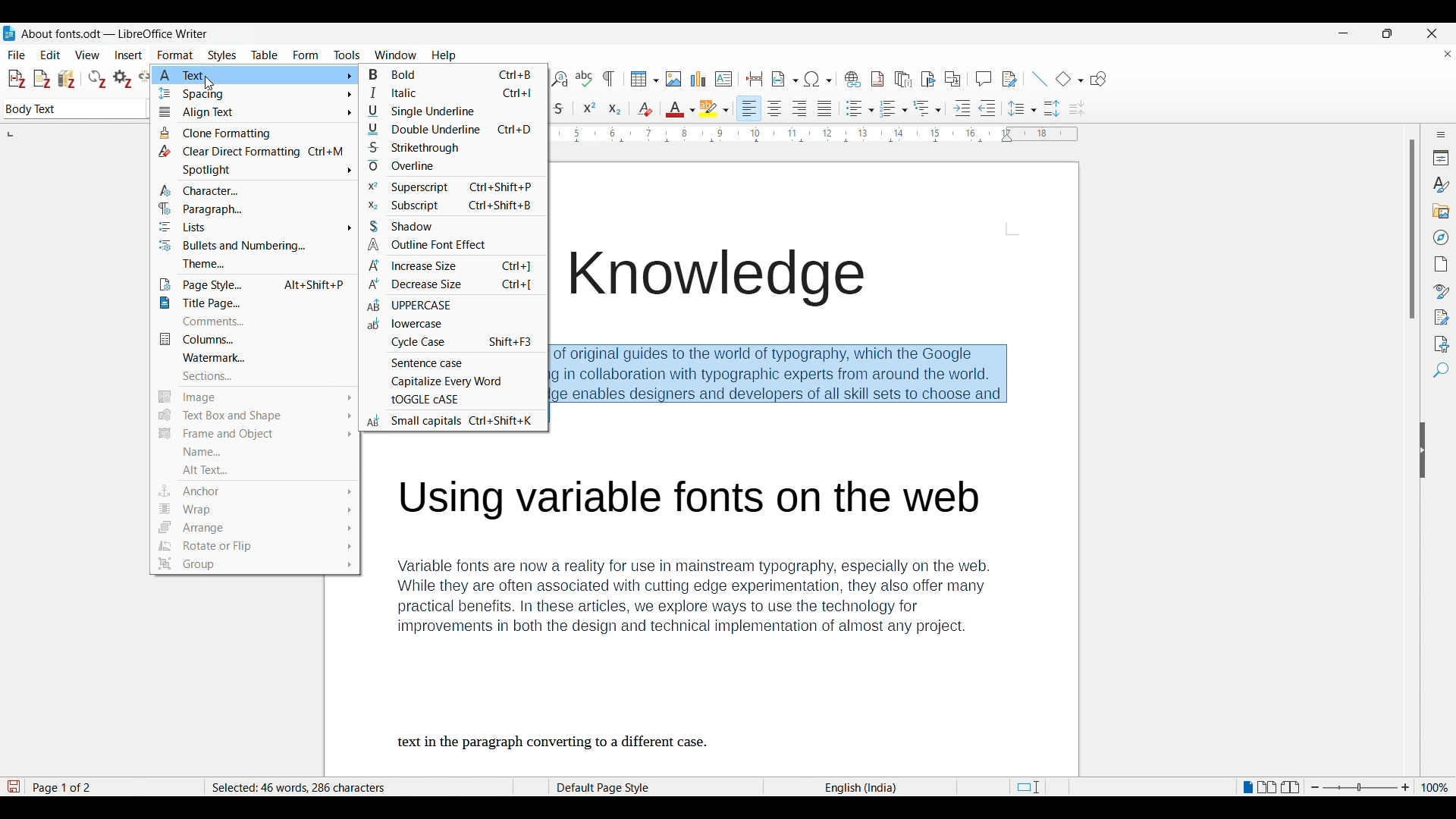 The image size is (1456, 819). What do you see at coordinates (9, 33) in the screenshot?
I see `Software logo` at bounding box center [9, 33].